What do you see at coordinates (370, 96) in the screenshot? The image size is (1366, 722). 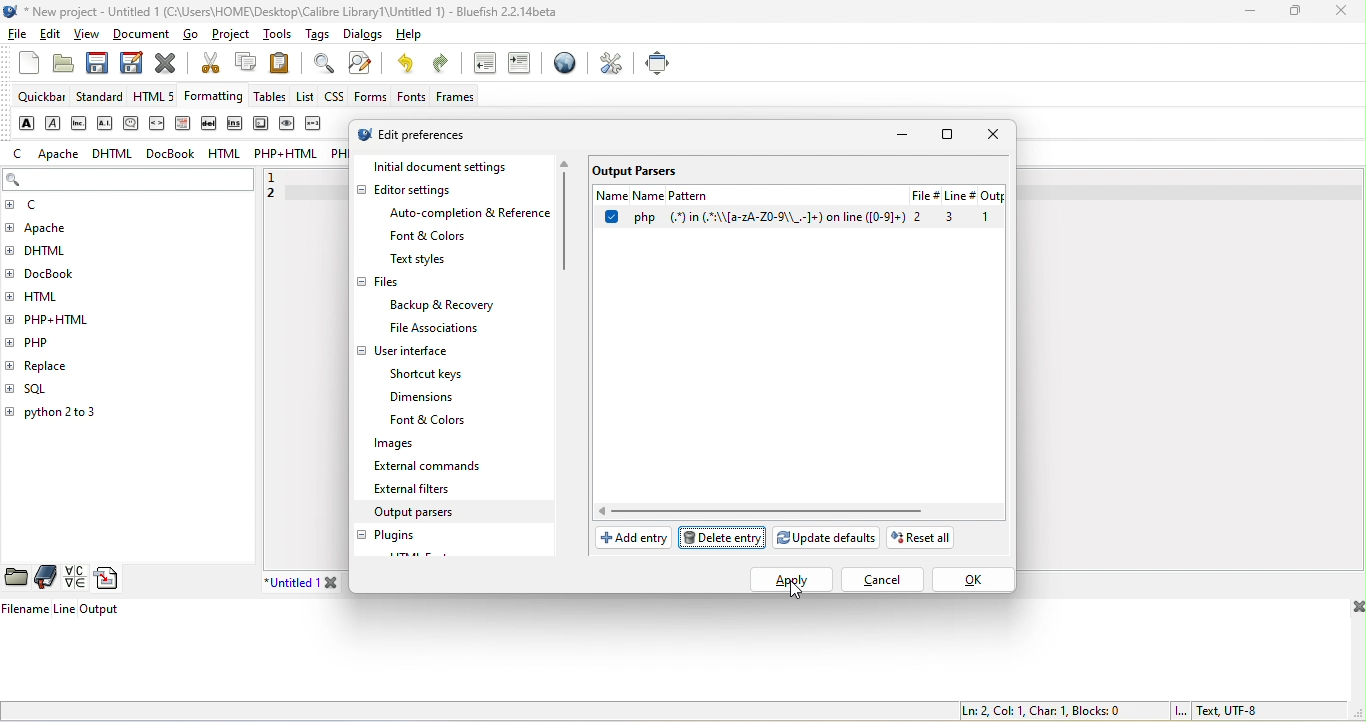 I see `forms` at bounding box center [370, 96].